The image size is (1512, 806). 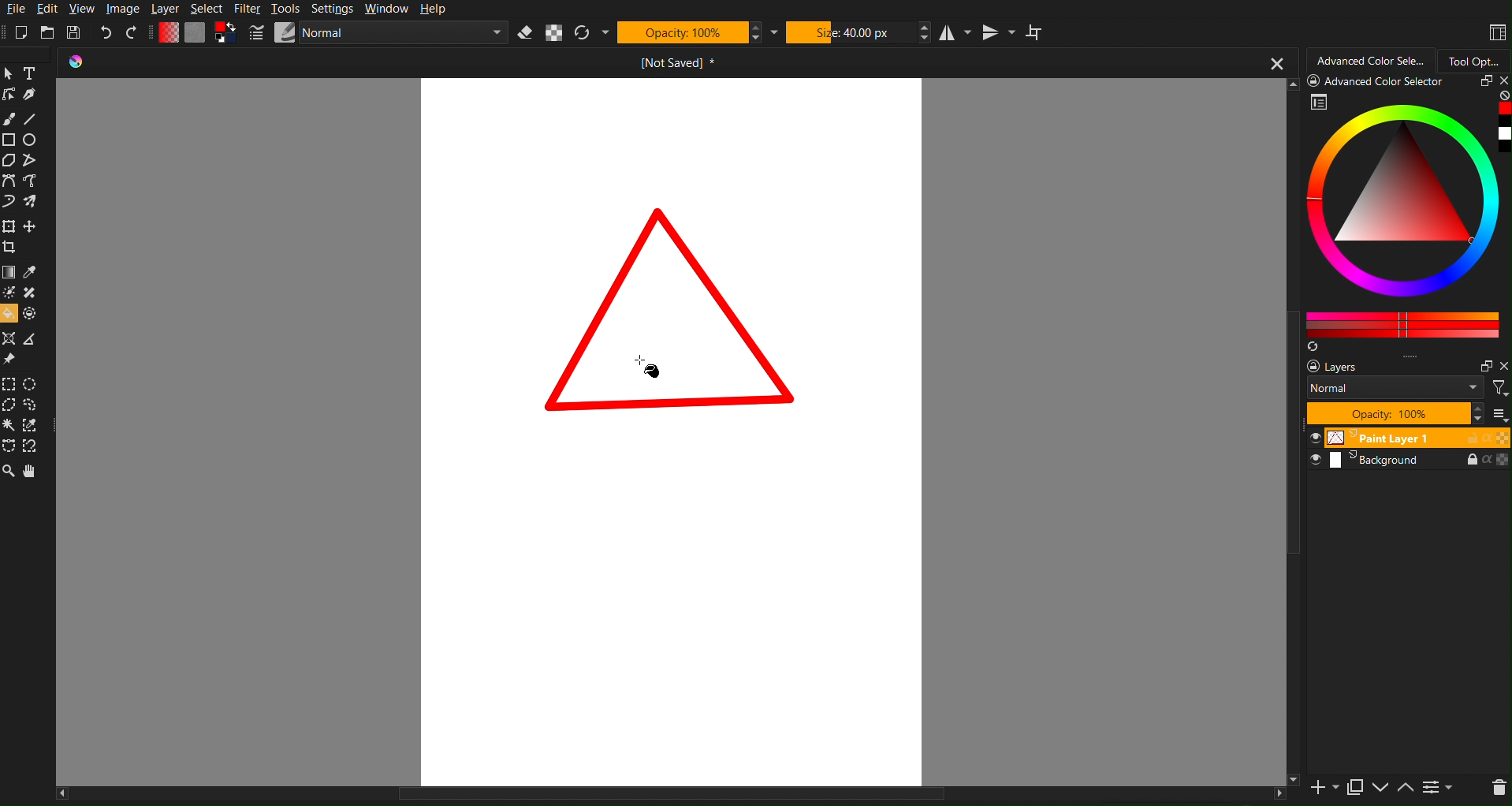 I want to click on move a layer, so click(x=31, y=226).